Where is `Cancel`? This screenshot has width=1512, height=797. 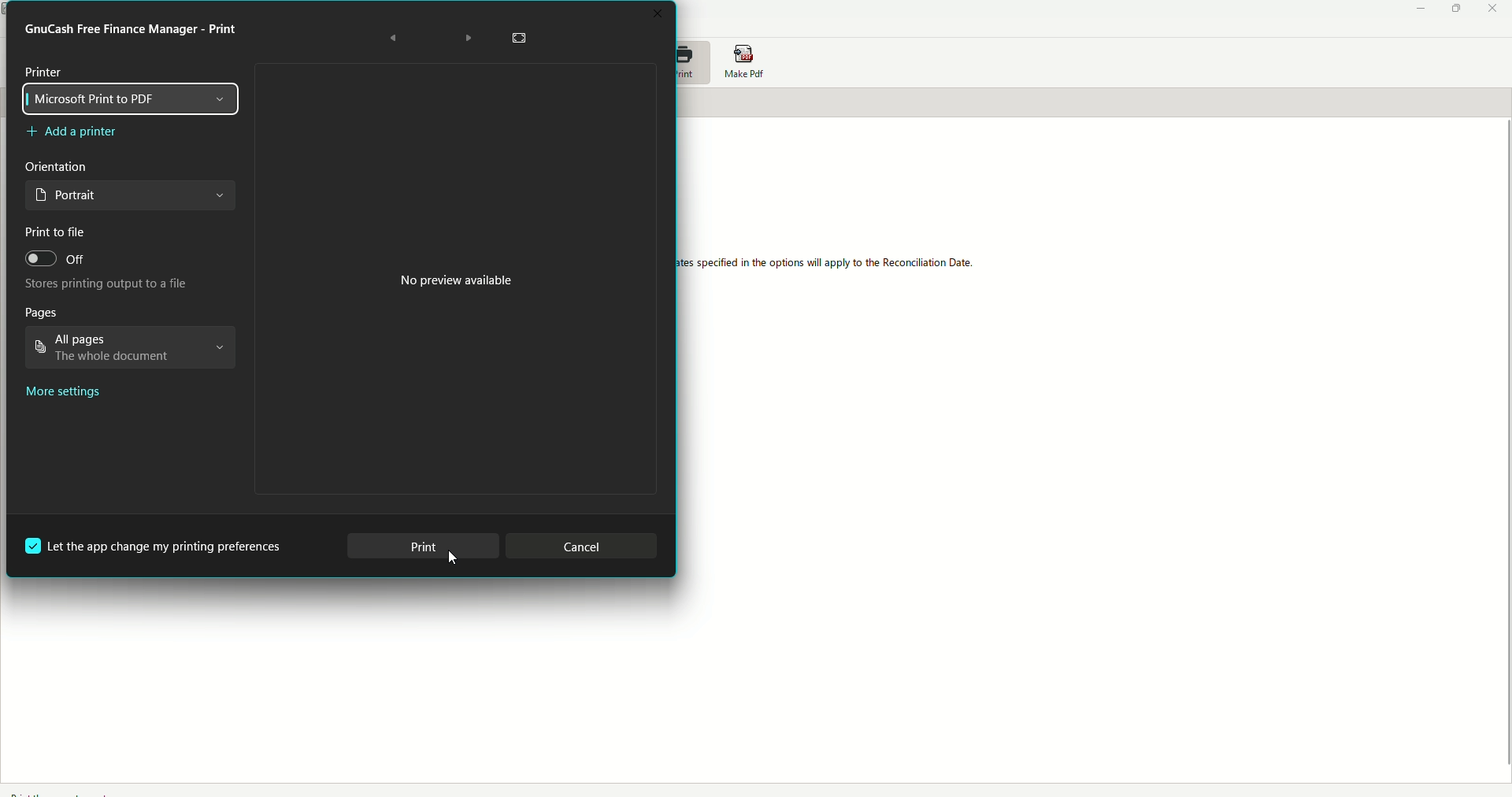 Cancel is located at coordinates (578, 547).